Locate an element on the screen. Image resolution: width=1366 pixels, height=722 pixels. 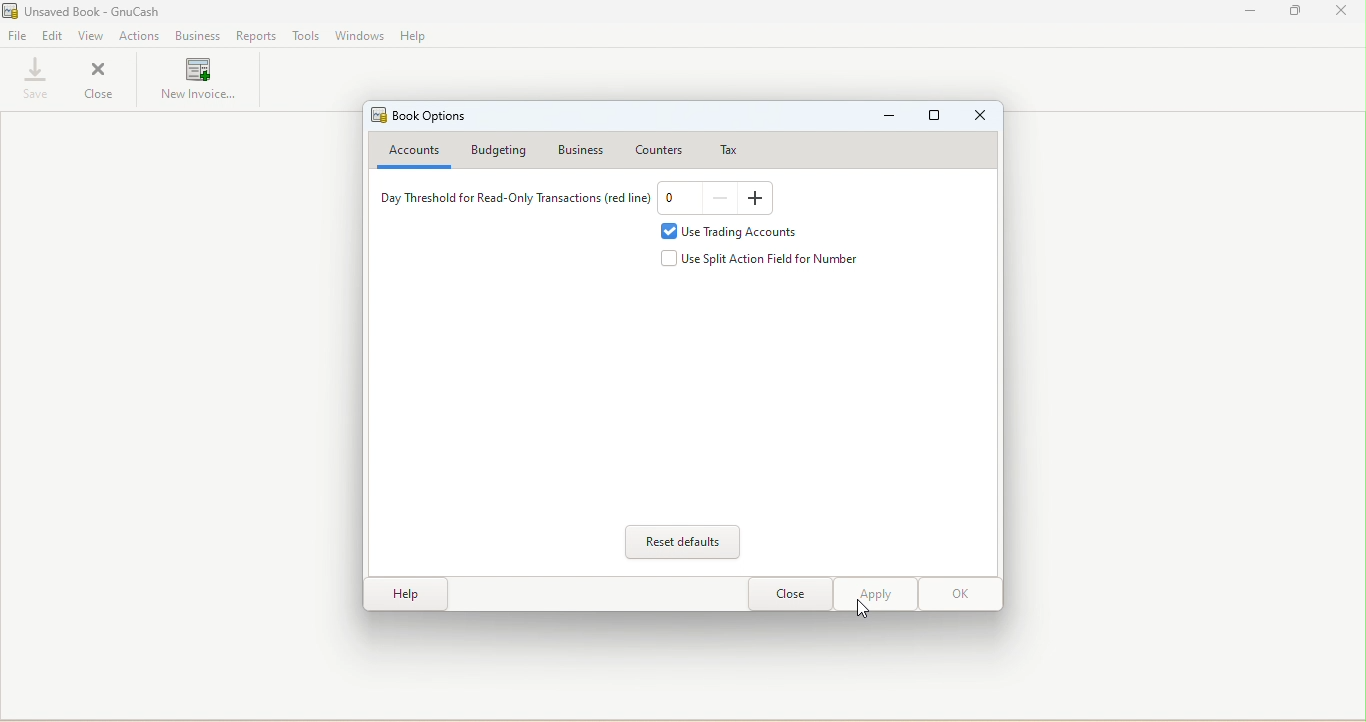
Help is located at coordinates (415, 37).